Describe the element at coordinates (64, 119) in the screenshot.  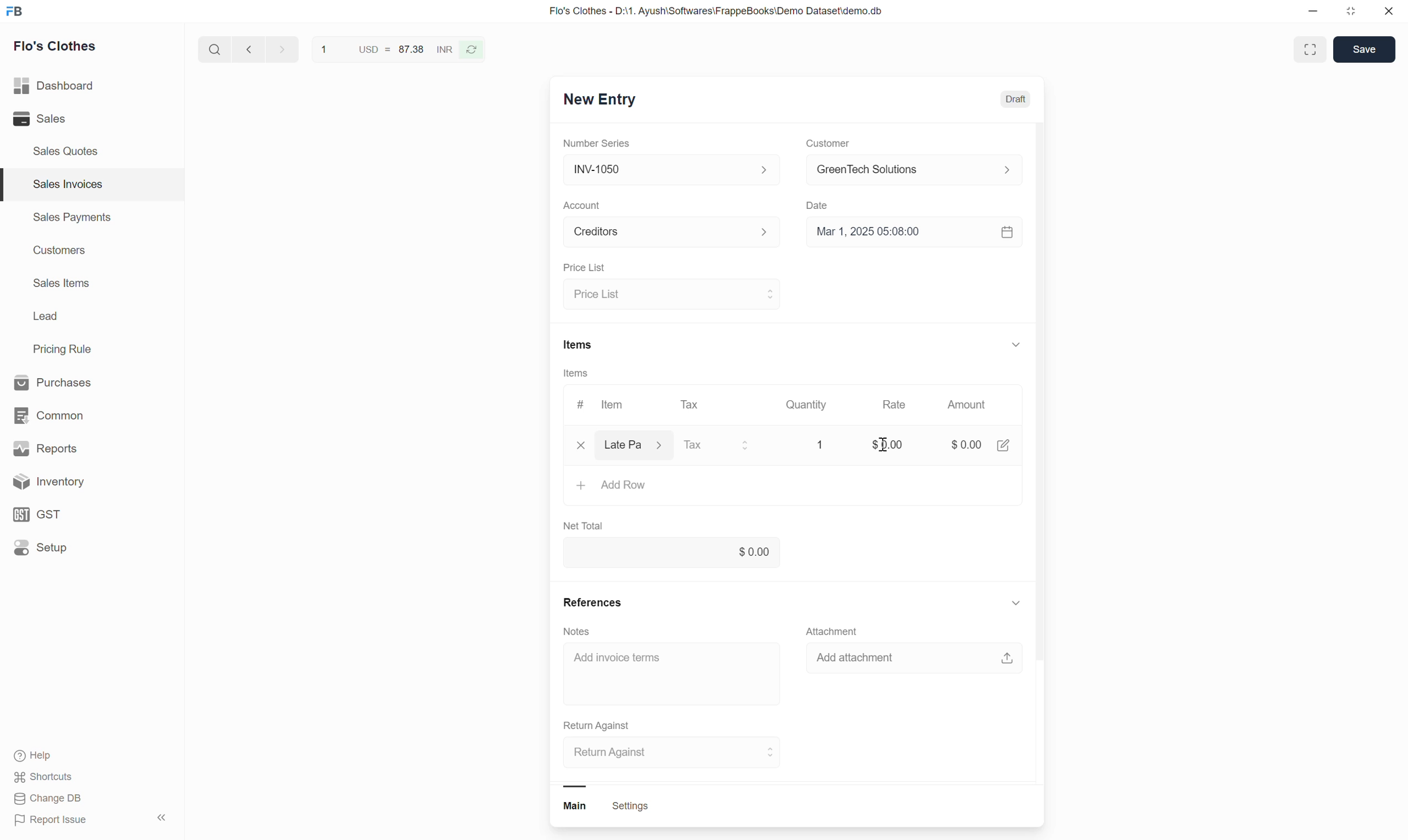
I see `Sales ` at that location.